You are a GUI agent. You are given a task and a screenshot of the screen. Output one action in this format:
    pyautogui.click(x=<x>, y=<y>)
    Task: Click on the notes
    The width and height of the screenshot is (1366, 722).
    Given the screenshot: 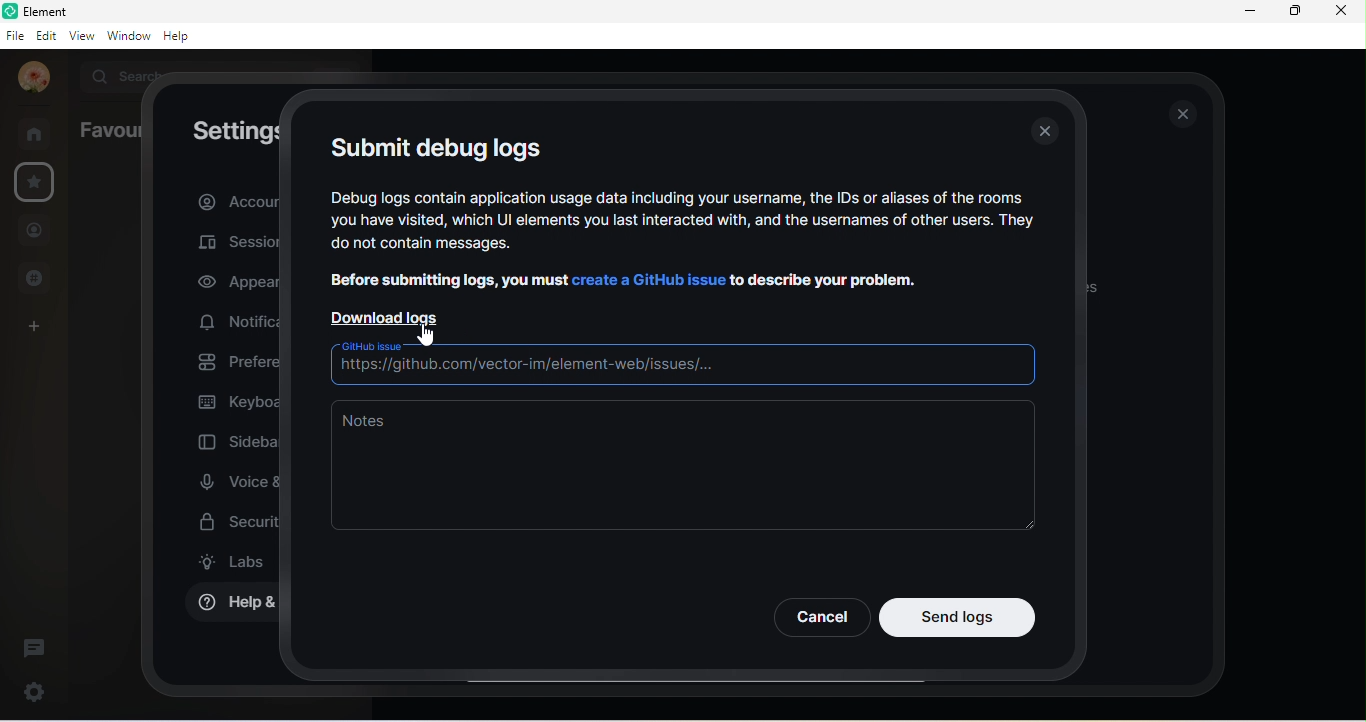 What is the action you would take?
    pyautogui.click(x=682, y=467)
    